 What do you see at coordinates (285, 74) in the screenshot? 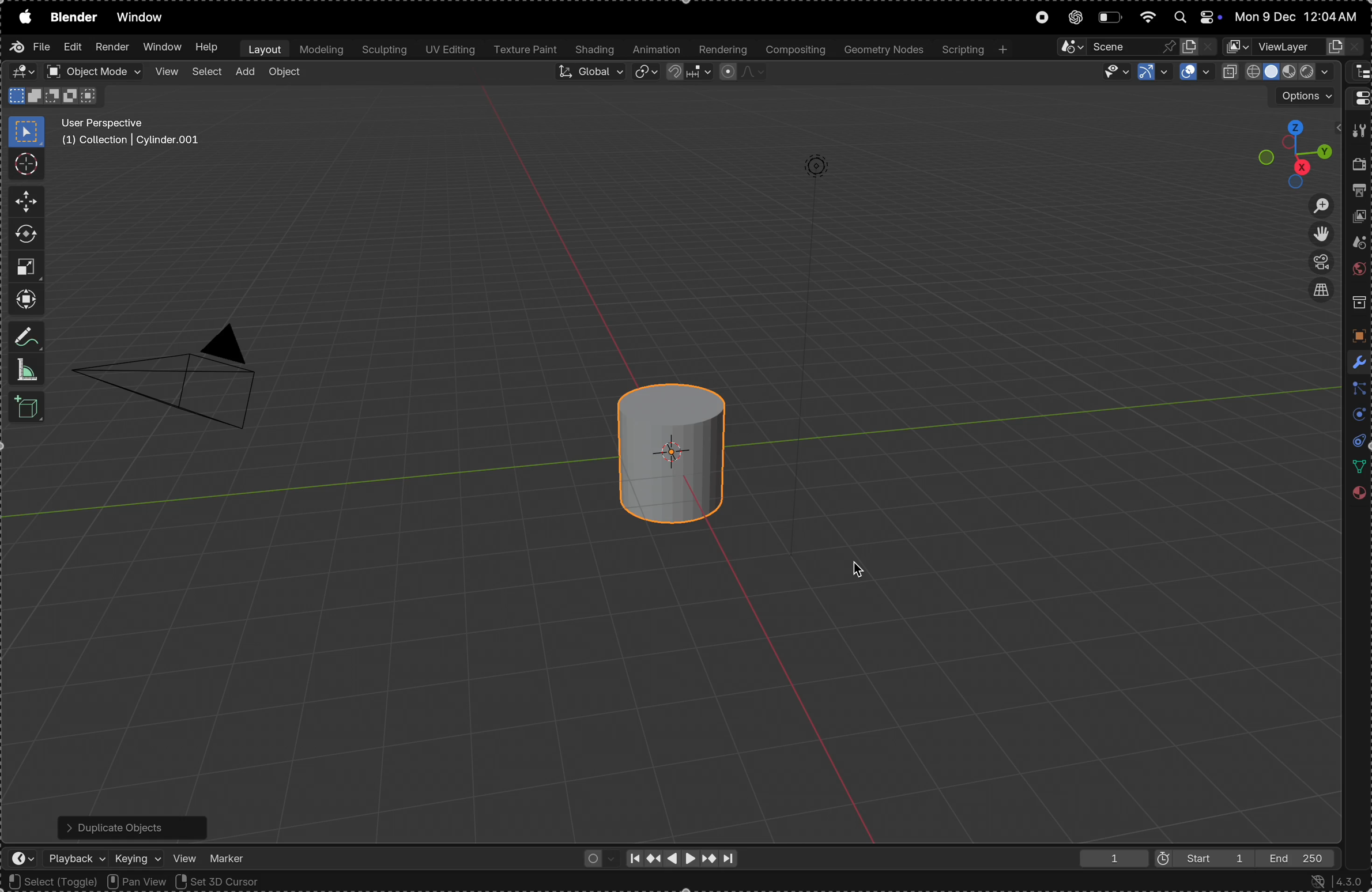
I see `object` at bounding box center [285, 74].